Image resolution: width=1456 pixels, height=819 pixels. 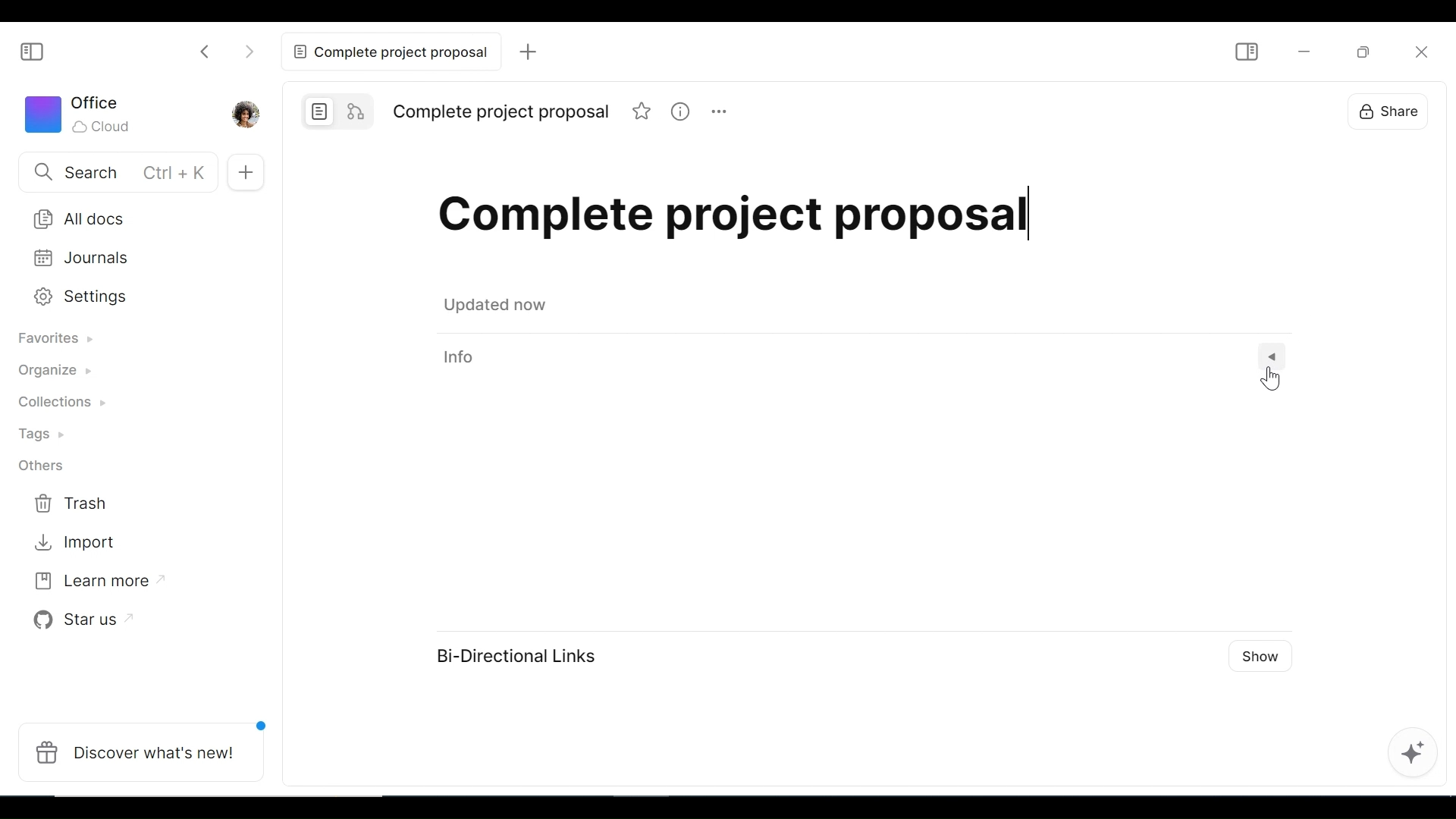 I want to click on Share, so click(x=1382, y=110).